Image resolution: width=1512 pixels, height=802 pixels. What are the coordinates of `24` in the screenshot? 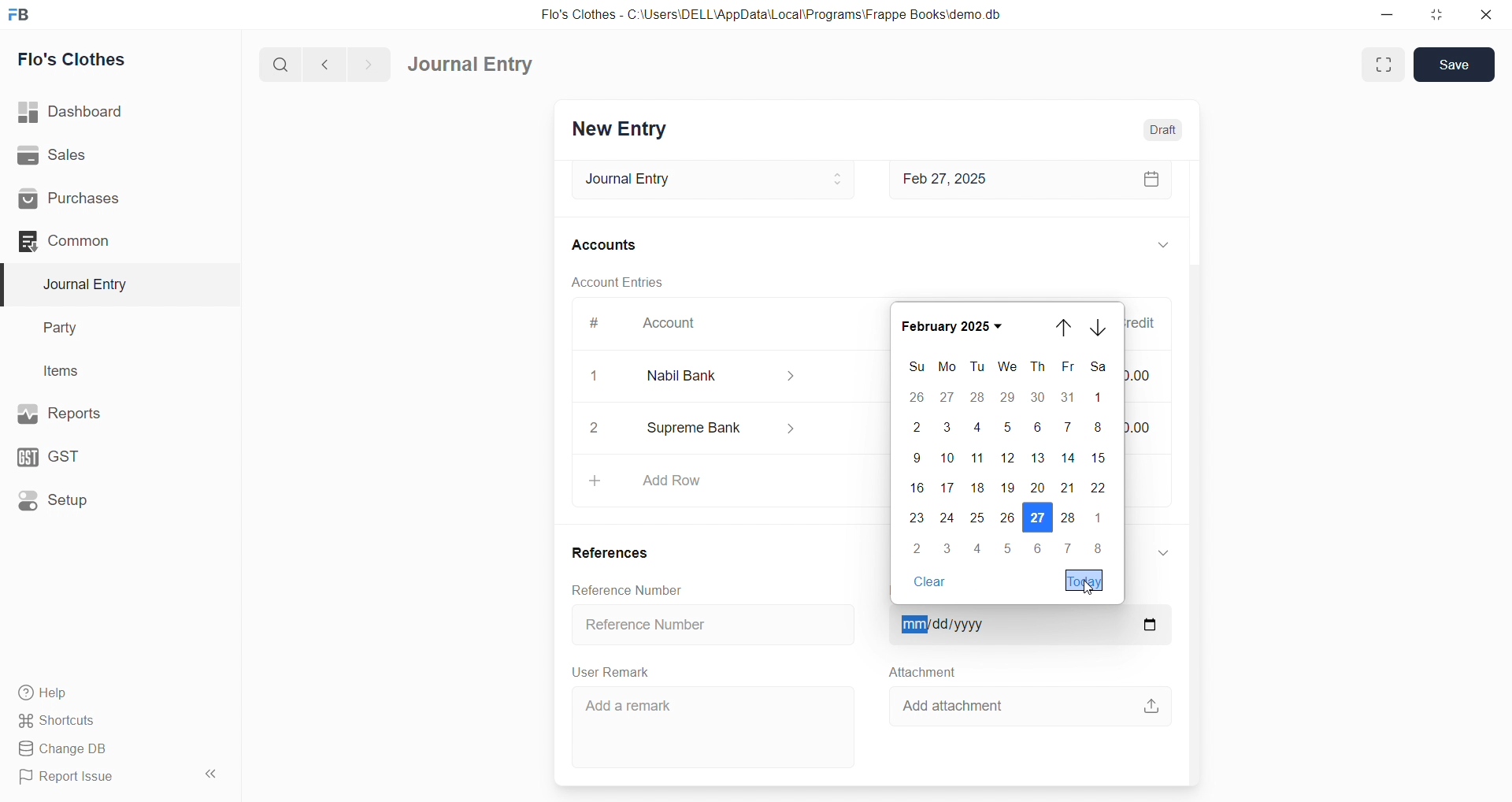 It's located at (950, 520).